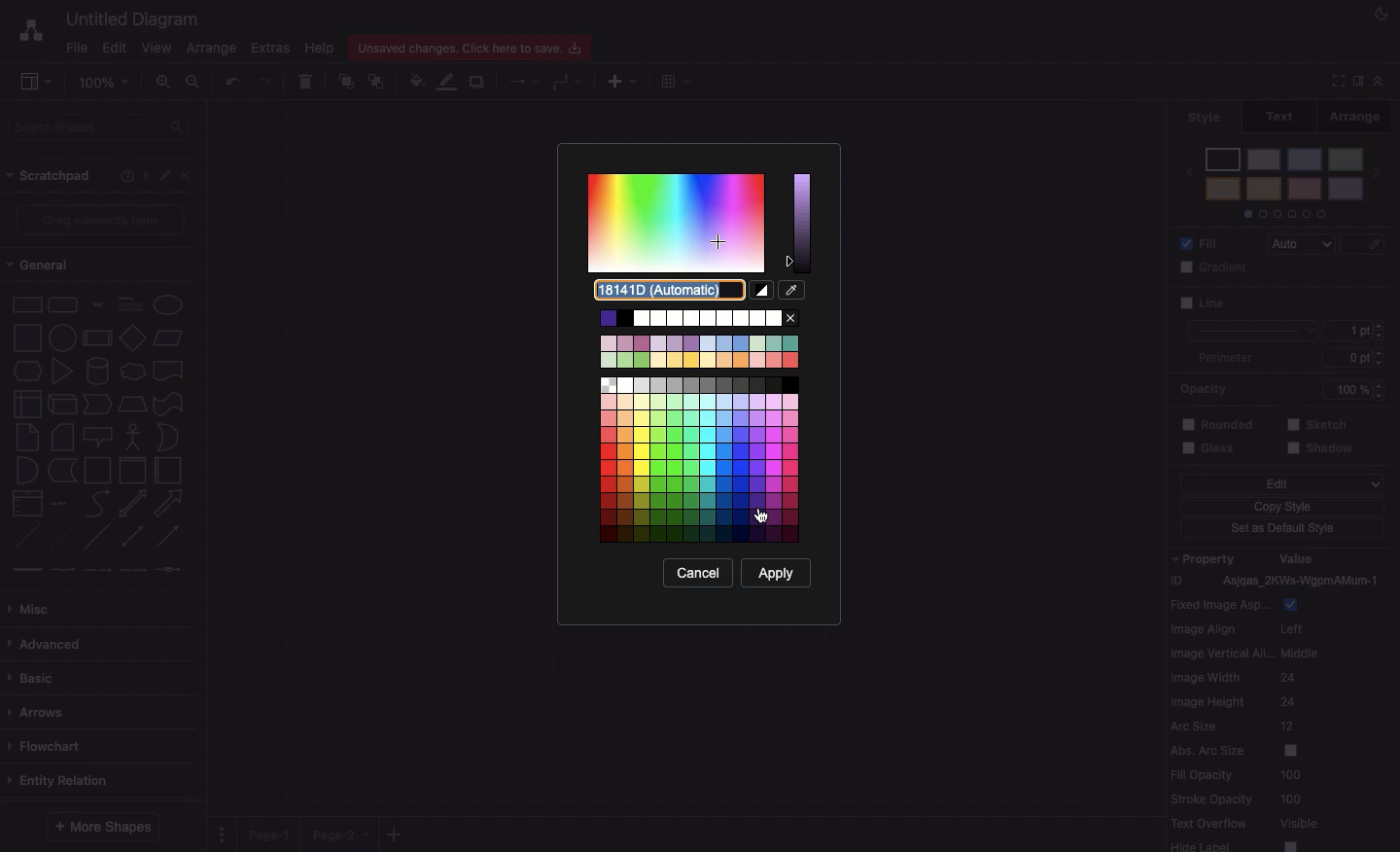 Image resolution: width=1400 pixels, height=852 pixels. What do you see at coordinates (1318, 423) in the screenshot?
I see `sketch` at bounding box center [1318, 423].